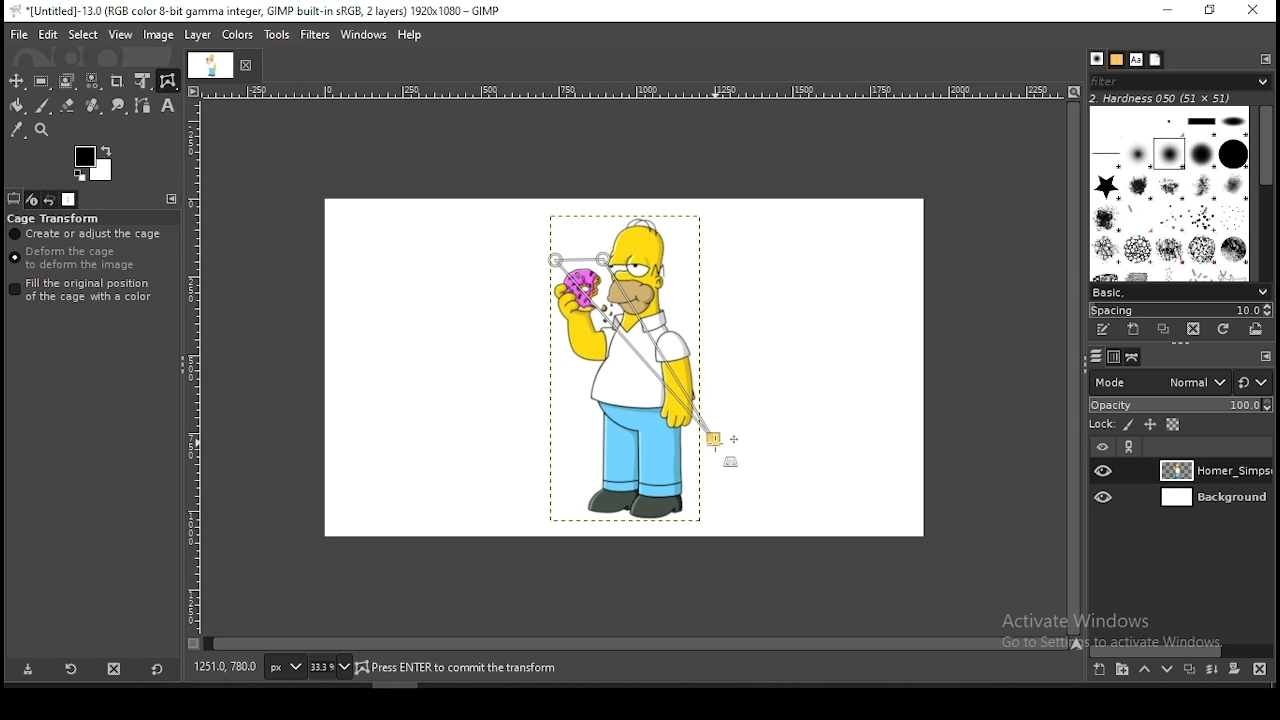 Image resolution: width=1280 pixels, height=720 pixels. I want to click on layer visibility on/off, so click(1105, 497).